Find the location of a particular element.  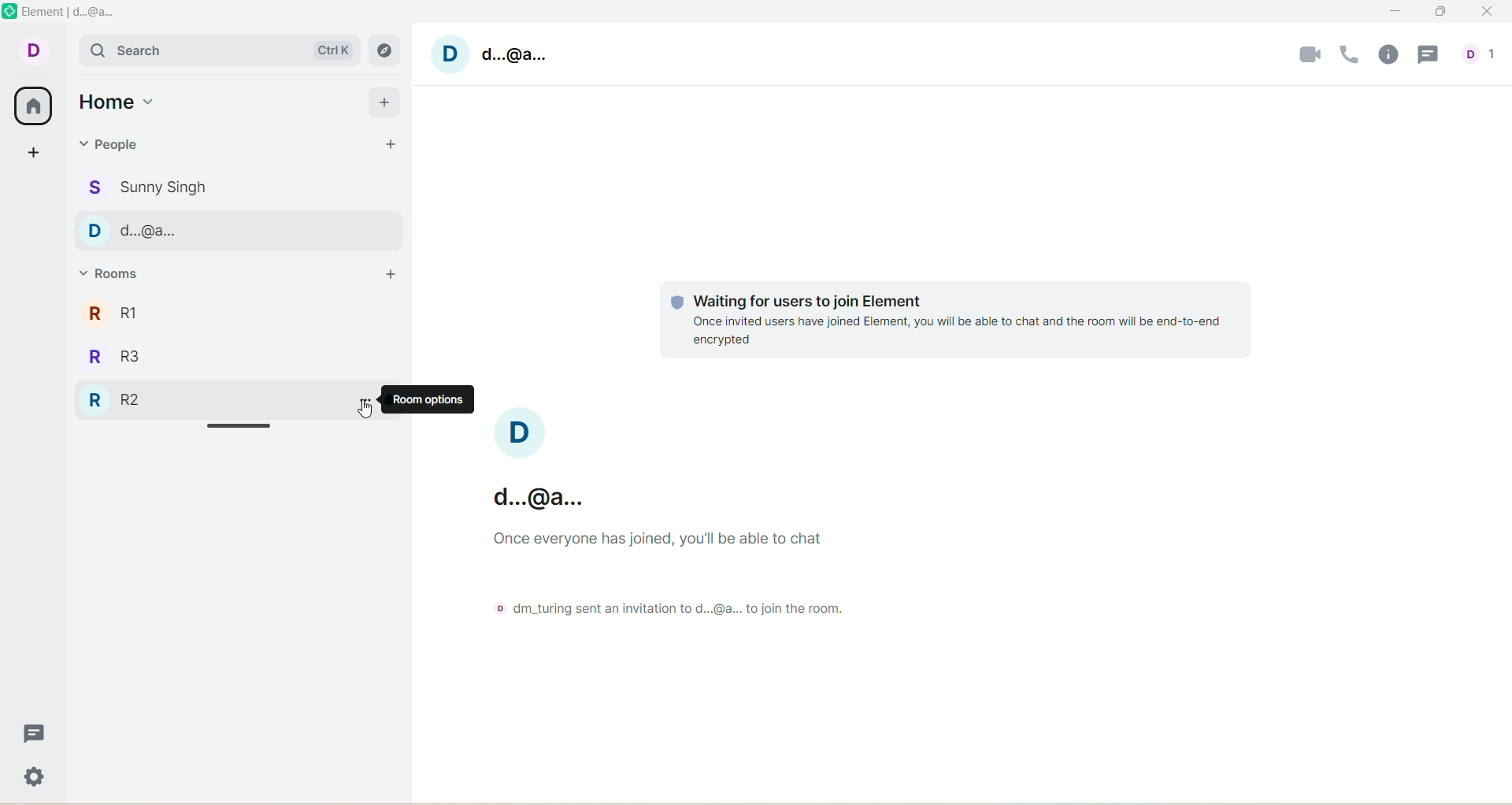

account is located at coordinates (1482, 55).